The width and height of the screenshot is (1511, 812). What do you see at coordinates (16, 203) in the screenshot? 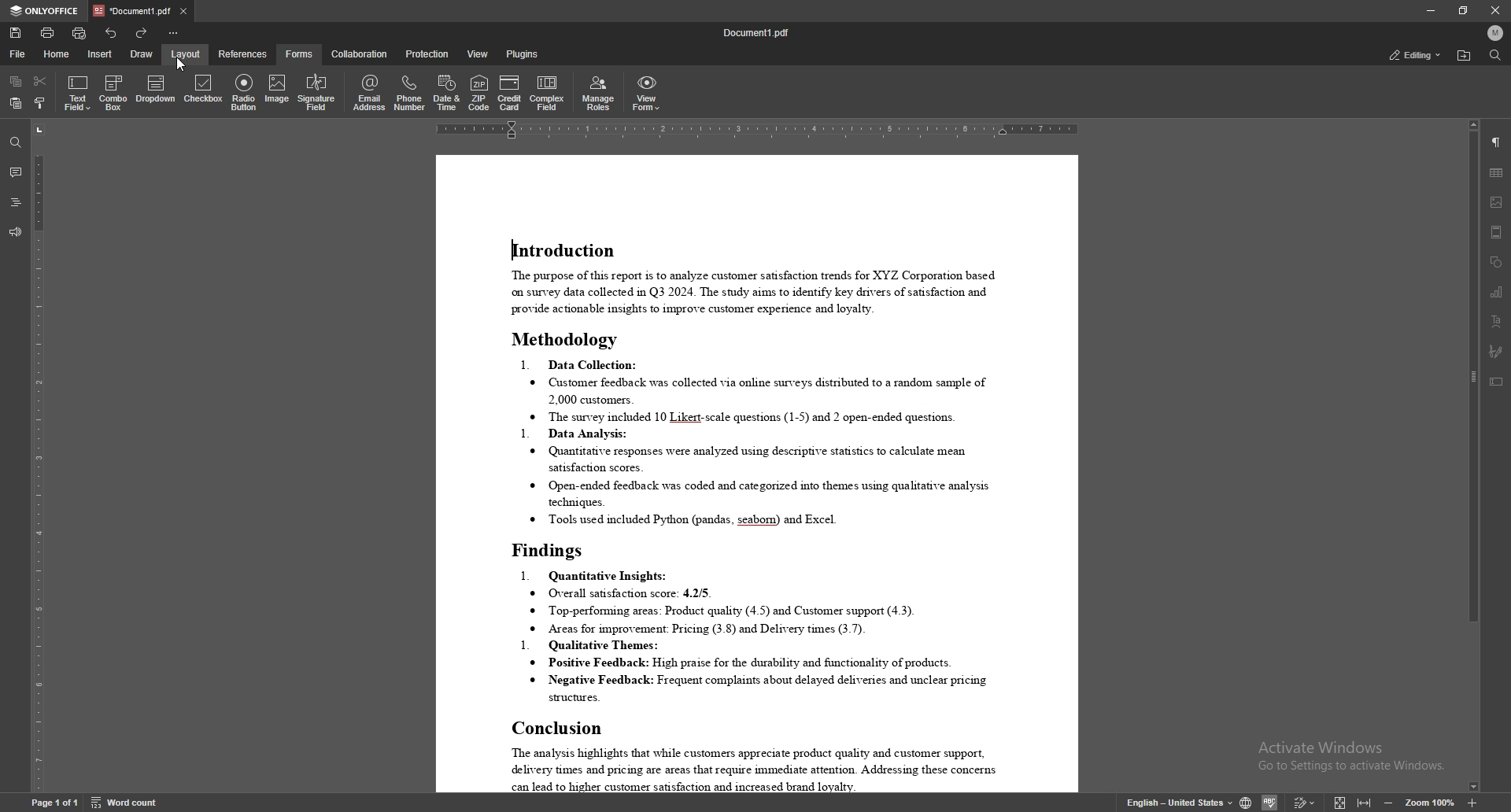
I see `heading` at bounding box center [16, 203].